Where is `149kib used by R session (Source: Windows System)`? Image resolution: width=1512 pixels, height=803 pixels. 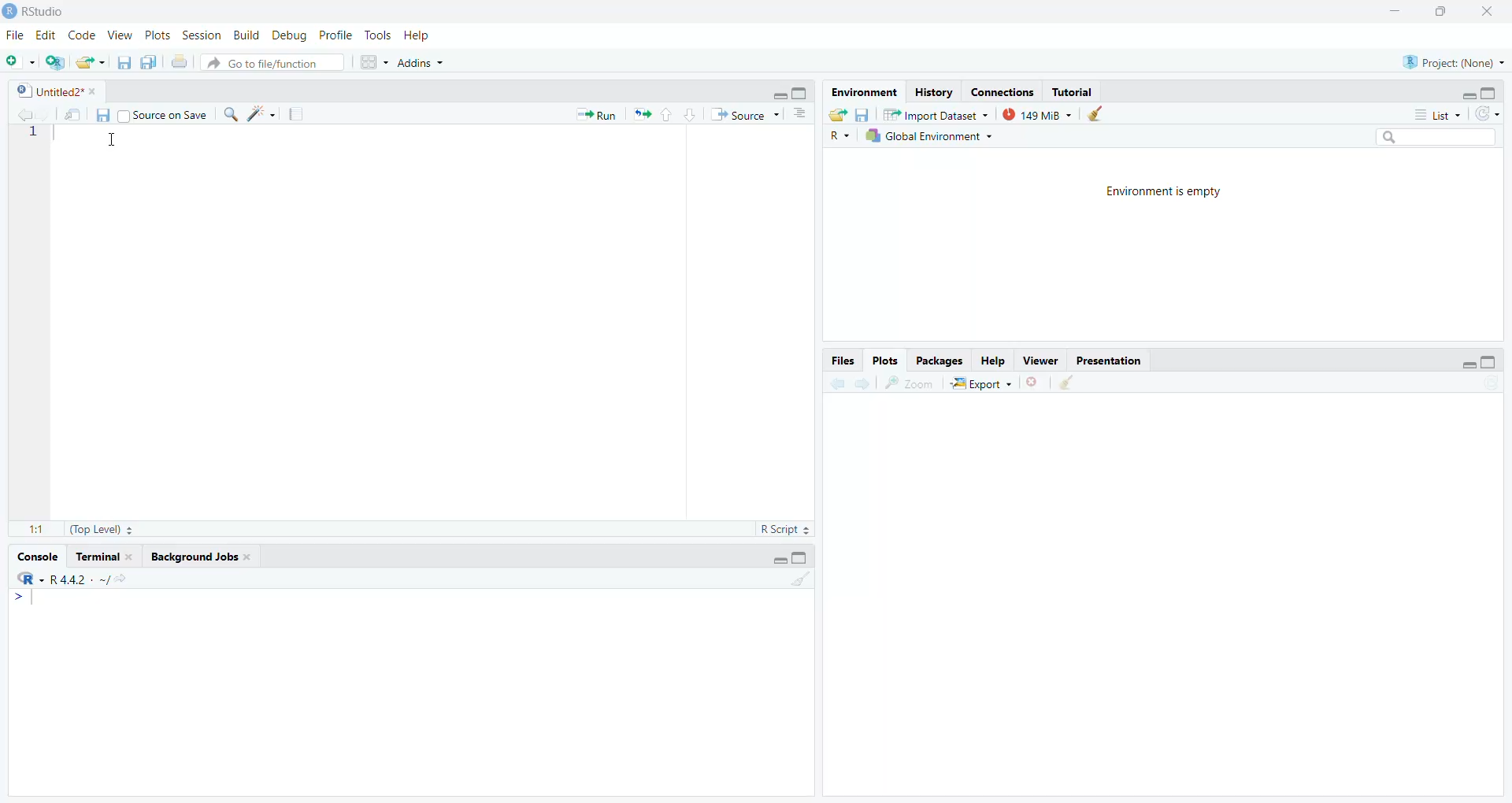
149kib used by R session (Source: Windows System) is located at coordinates (1043, 113).